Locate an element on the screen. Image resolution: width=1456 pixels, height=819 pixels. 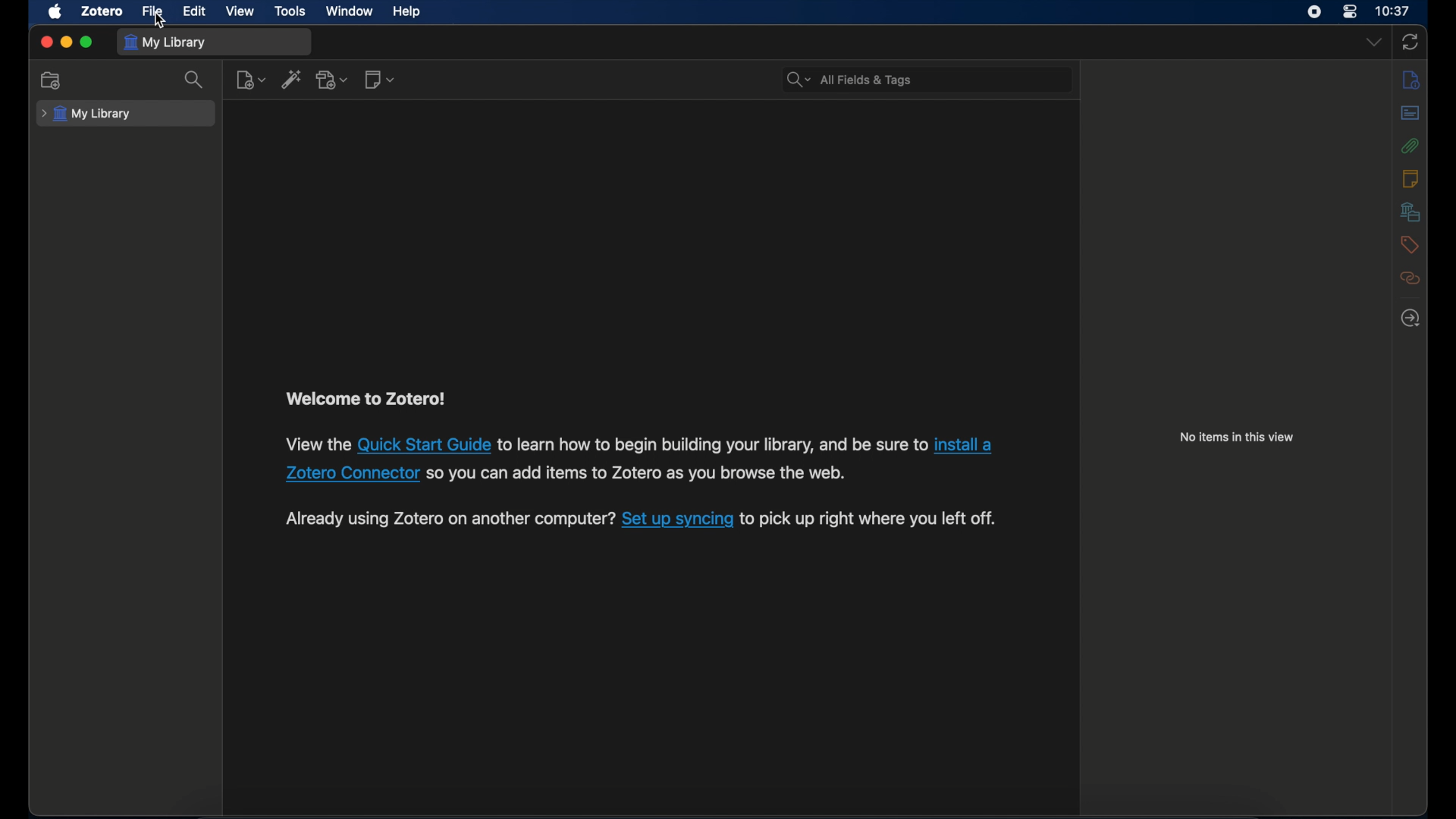
edit is located at coordinates (194, 12).